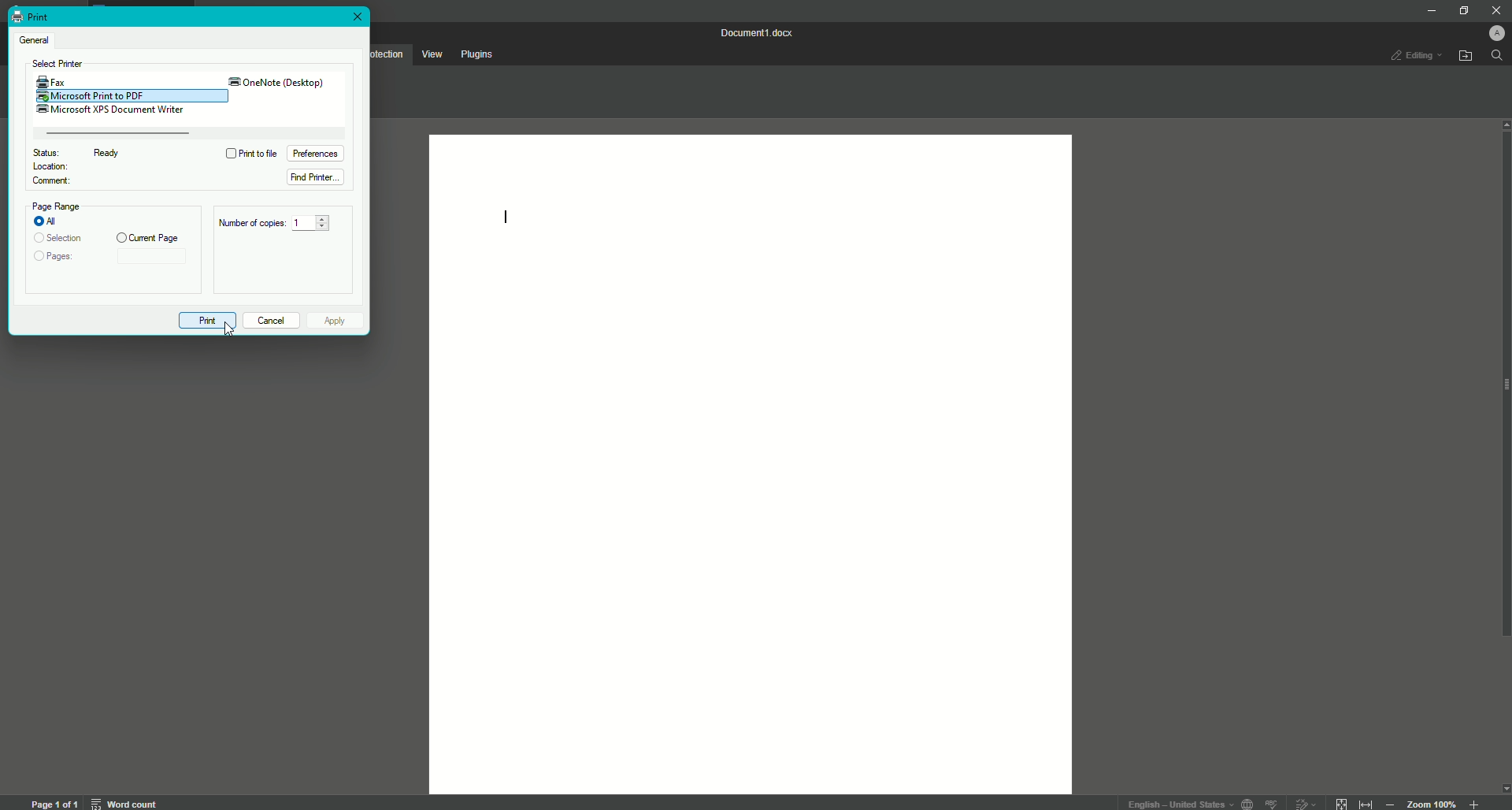 The image size is (1512, 810). Describe the element at coordinates (209, 320) in the screenshot. I see `Print` at that location.